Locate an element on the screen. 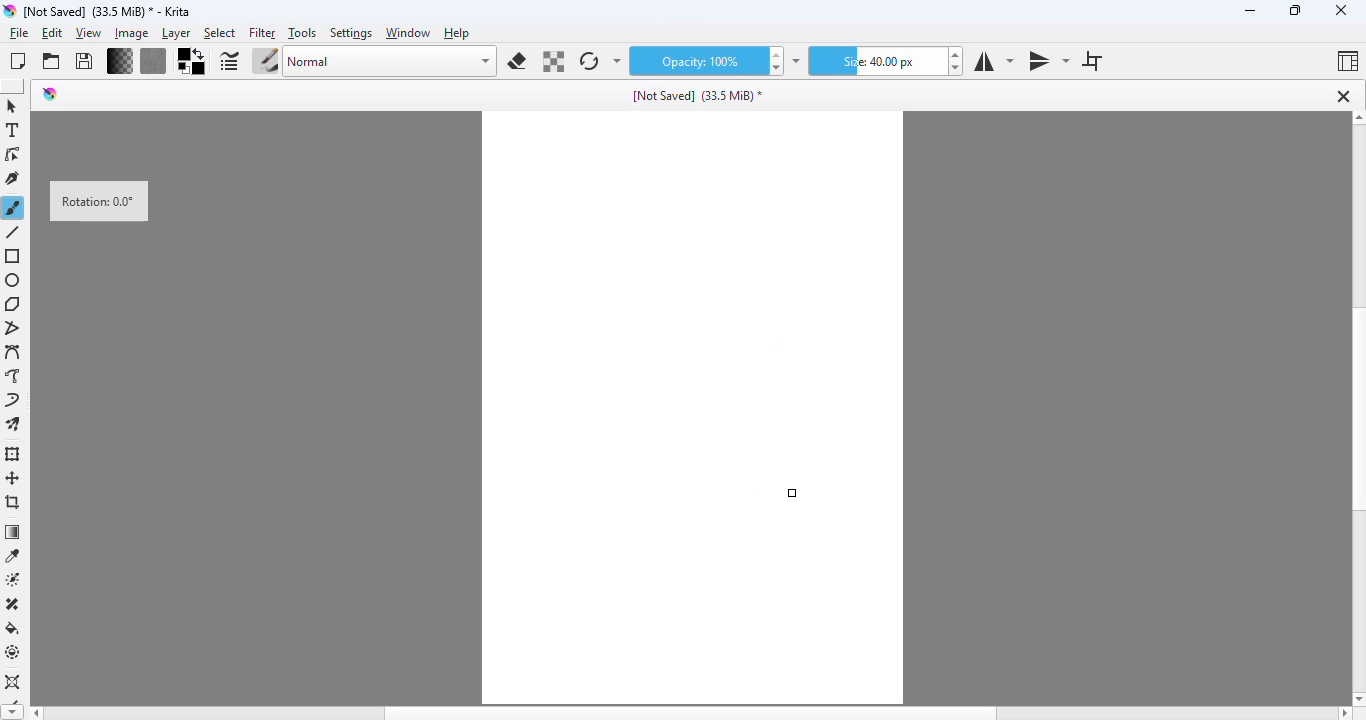  edit shapes tool is located at coordinates (14, 155).